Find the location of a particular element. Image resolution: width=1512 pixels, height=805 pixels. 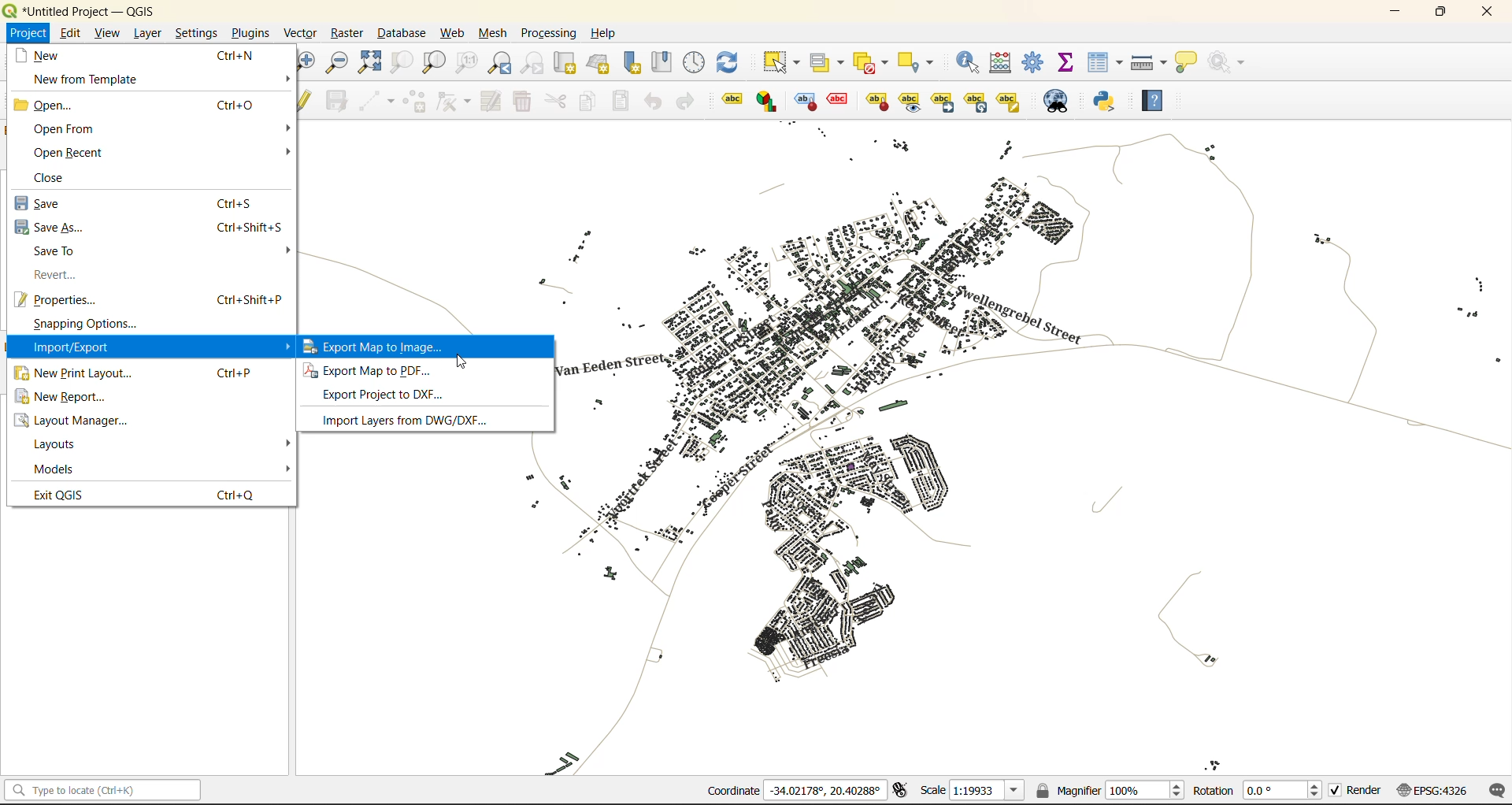

edit is located at coordinates (67, 32).